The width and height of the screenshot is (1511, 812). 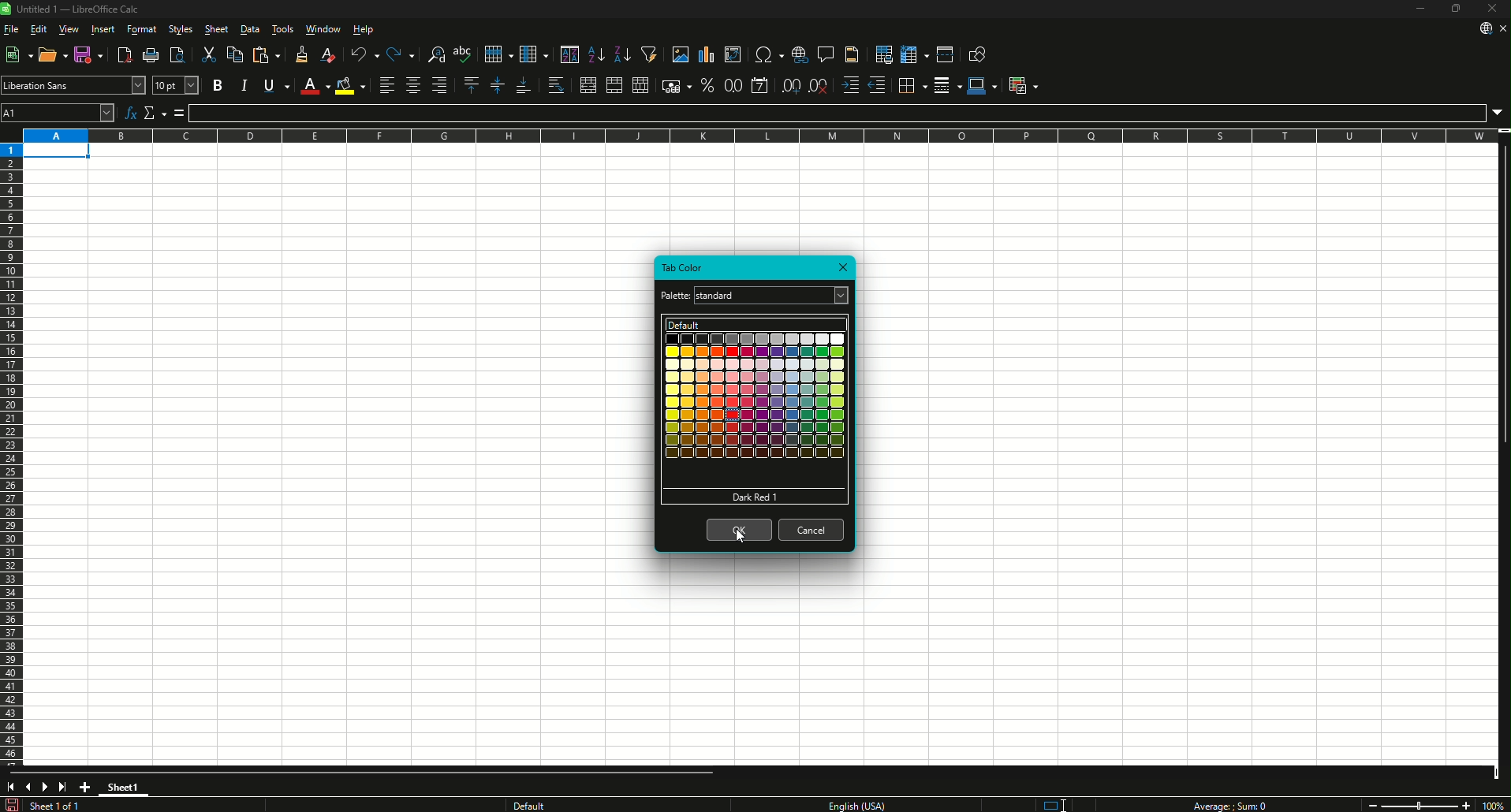 I want to click on View, so click(x=69, y=28).